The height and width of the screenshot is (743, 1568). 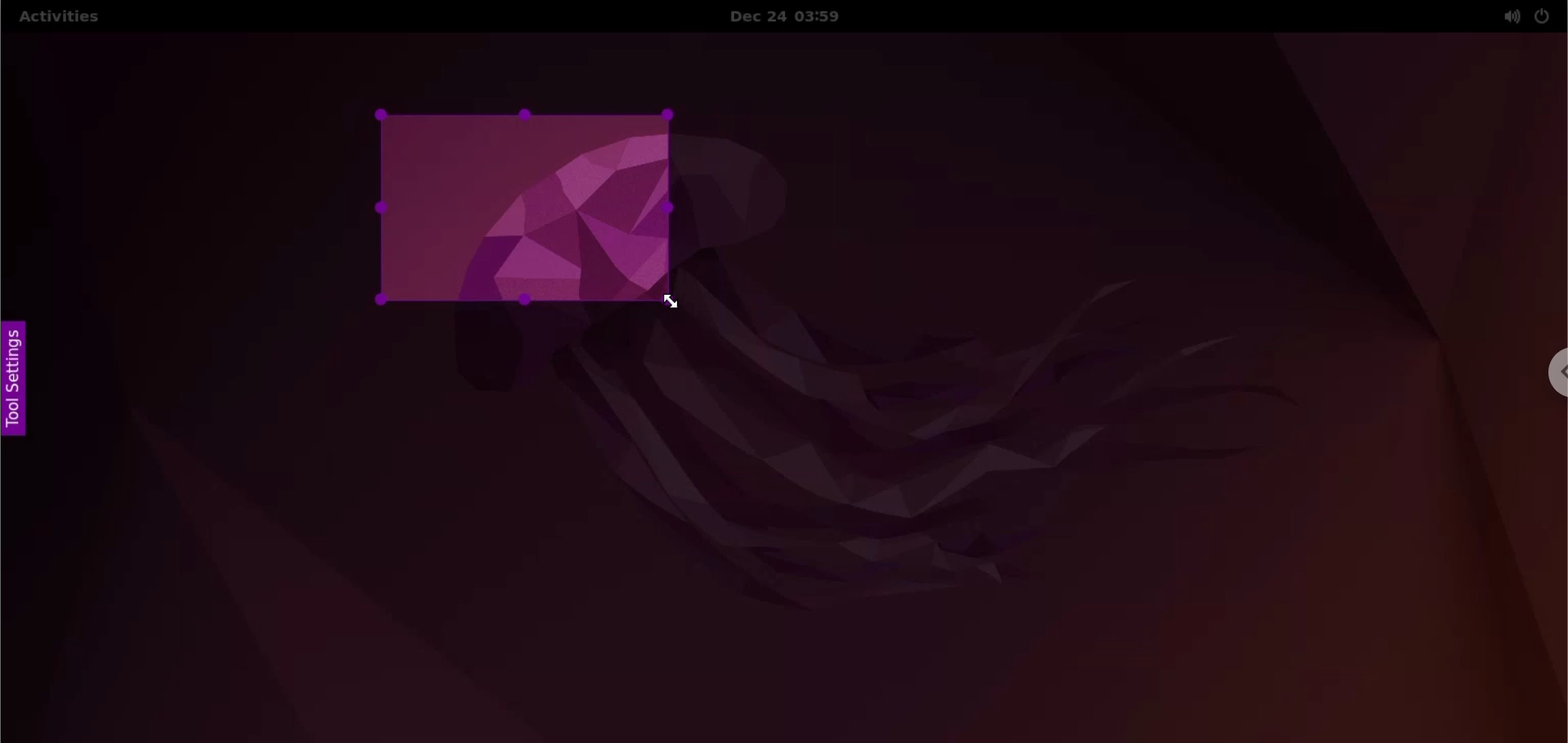 What do you see at coordinates (1545, 15) in the screenshot?
I see `power options ` at bounding box center [1545, 15].